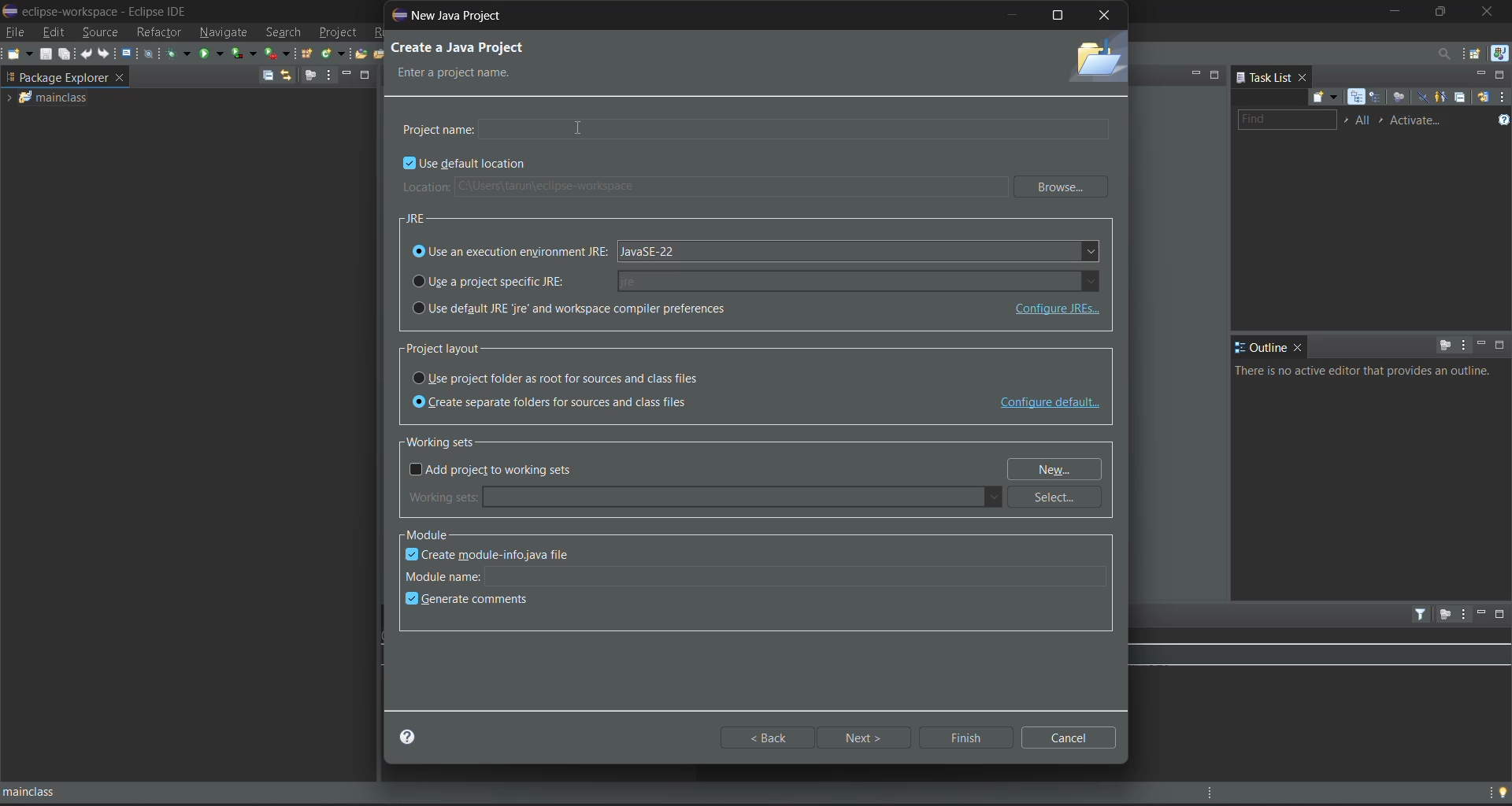 The width and height of the screenshot is (1512, 806). What do you see at coordinates (150, 55) in the screenshot?
I see `skip all breakpoints` at bounding box center [150, 55].